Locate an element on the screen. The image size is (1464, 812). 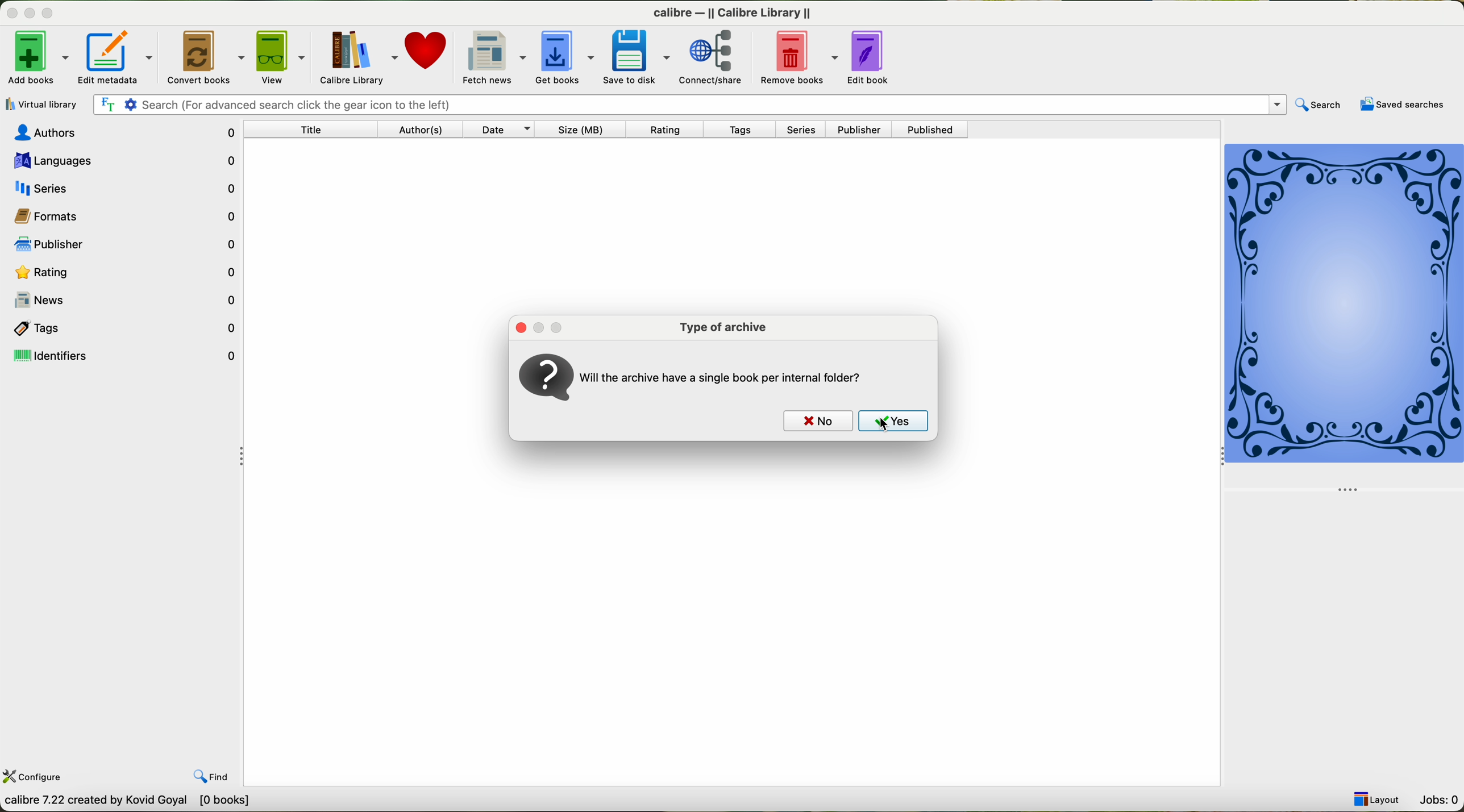
rating is located at coordinates (123, 270).